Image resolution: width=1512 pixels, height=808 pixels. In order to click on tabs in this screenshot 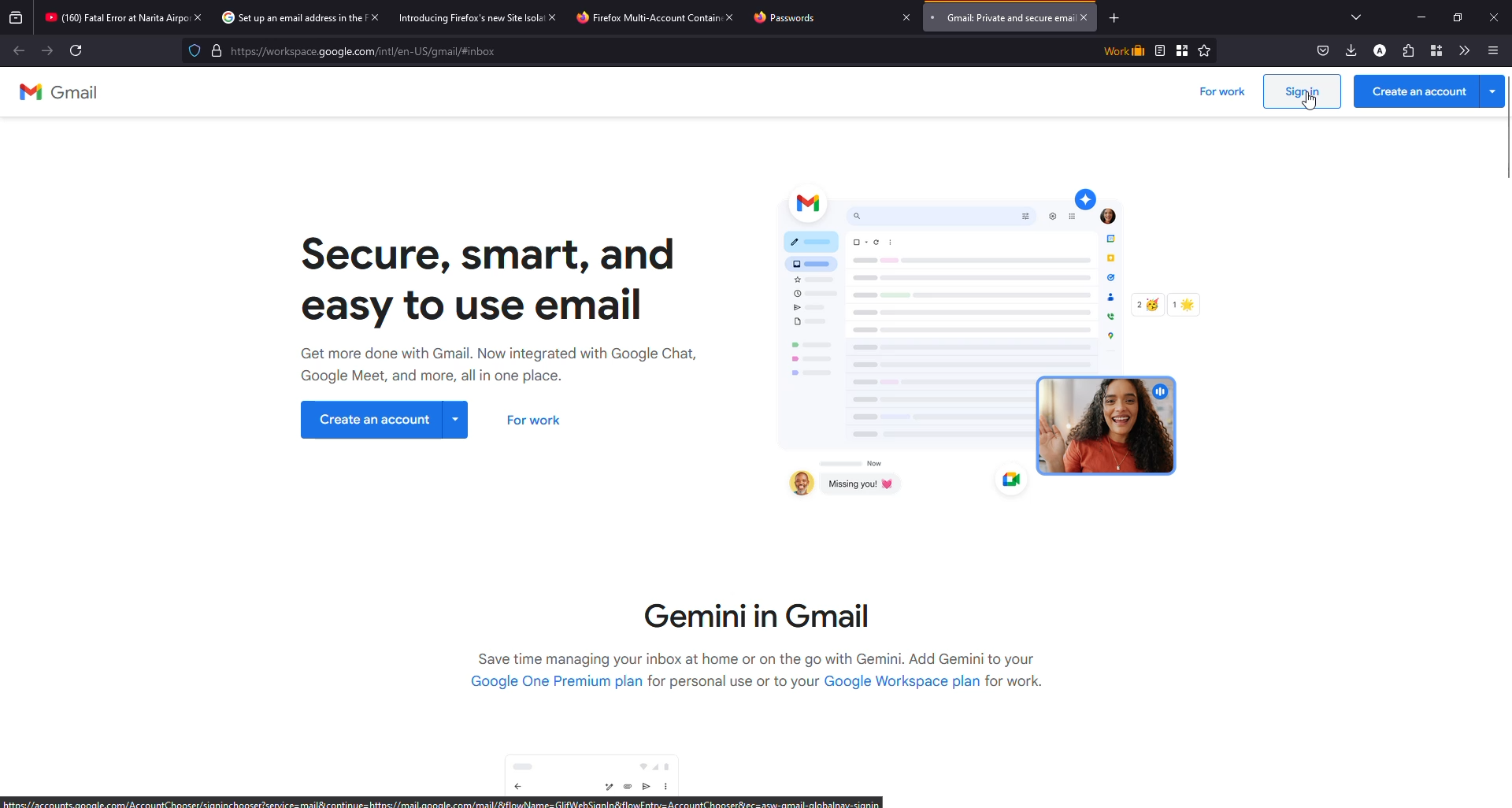, I will do `click(1356, 16)`.